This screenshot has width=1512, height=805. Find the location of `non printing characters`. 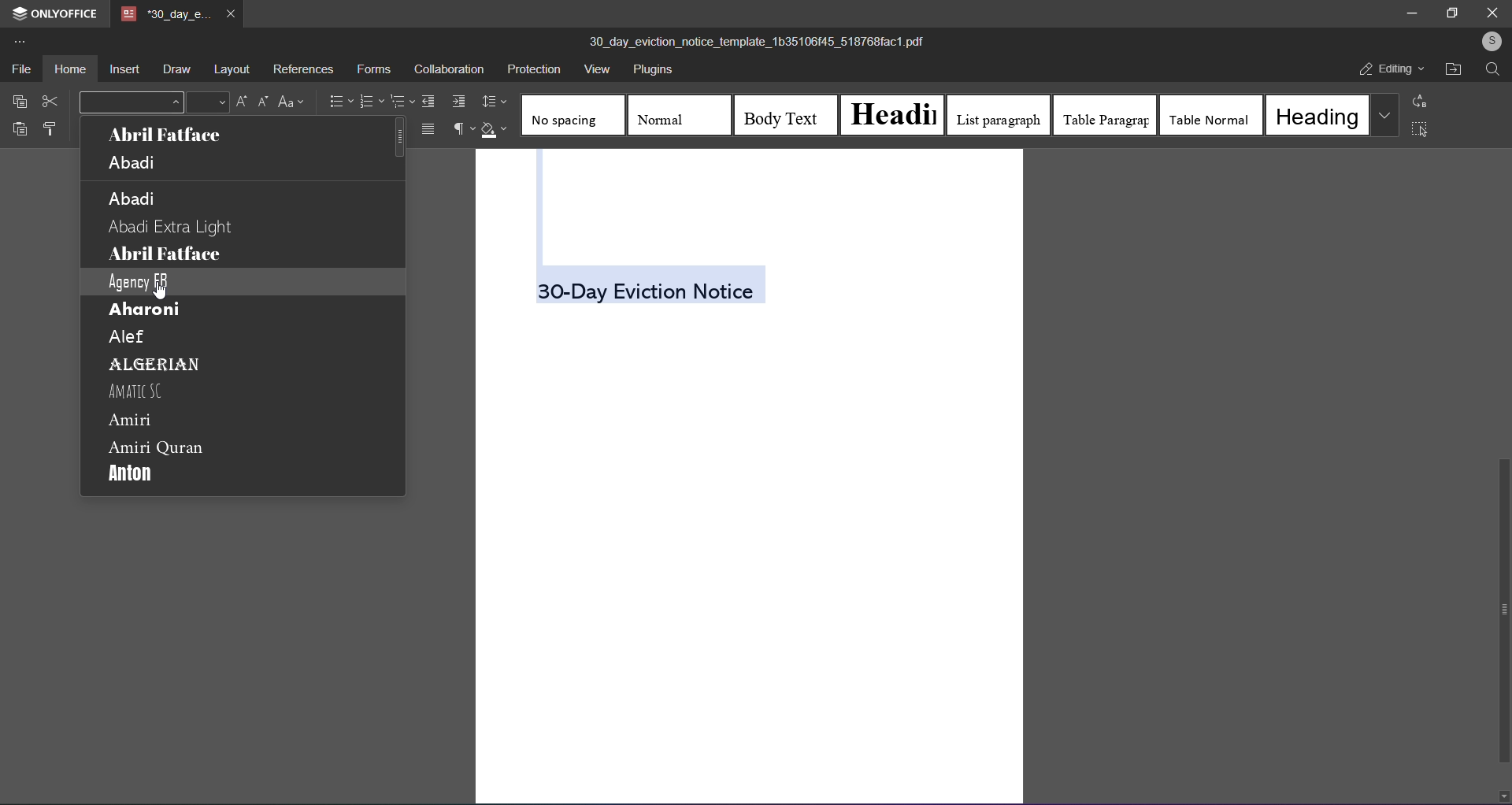

non printing characters is located at coordinates (459, 128).